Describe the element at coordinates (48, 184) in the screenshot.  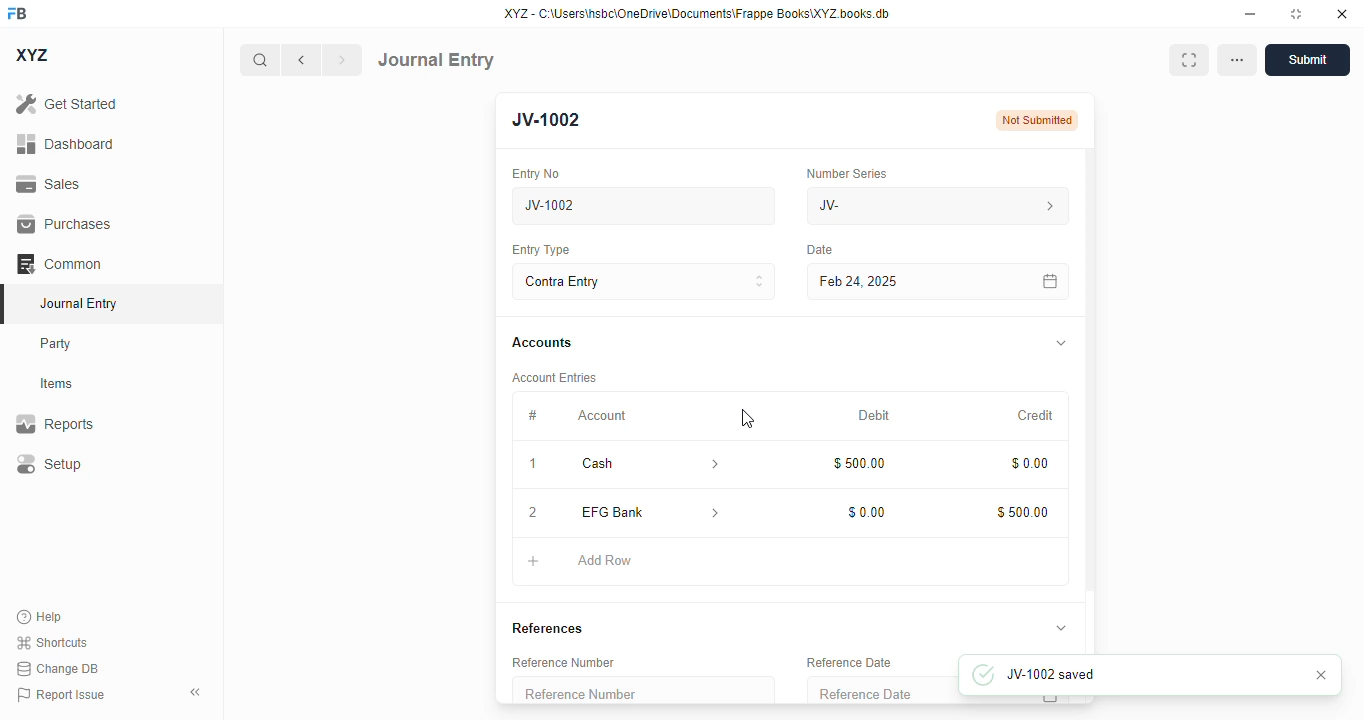
I see `sales` at that location.